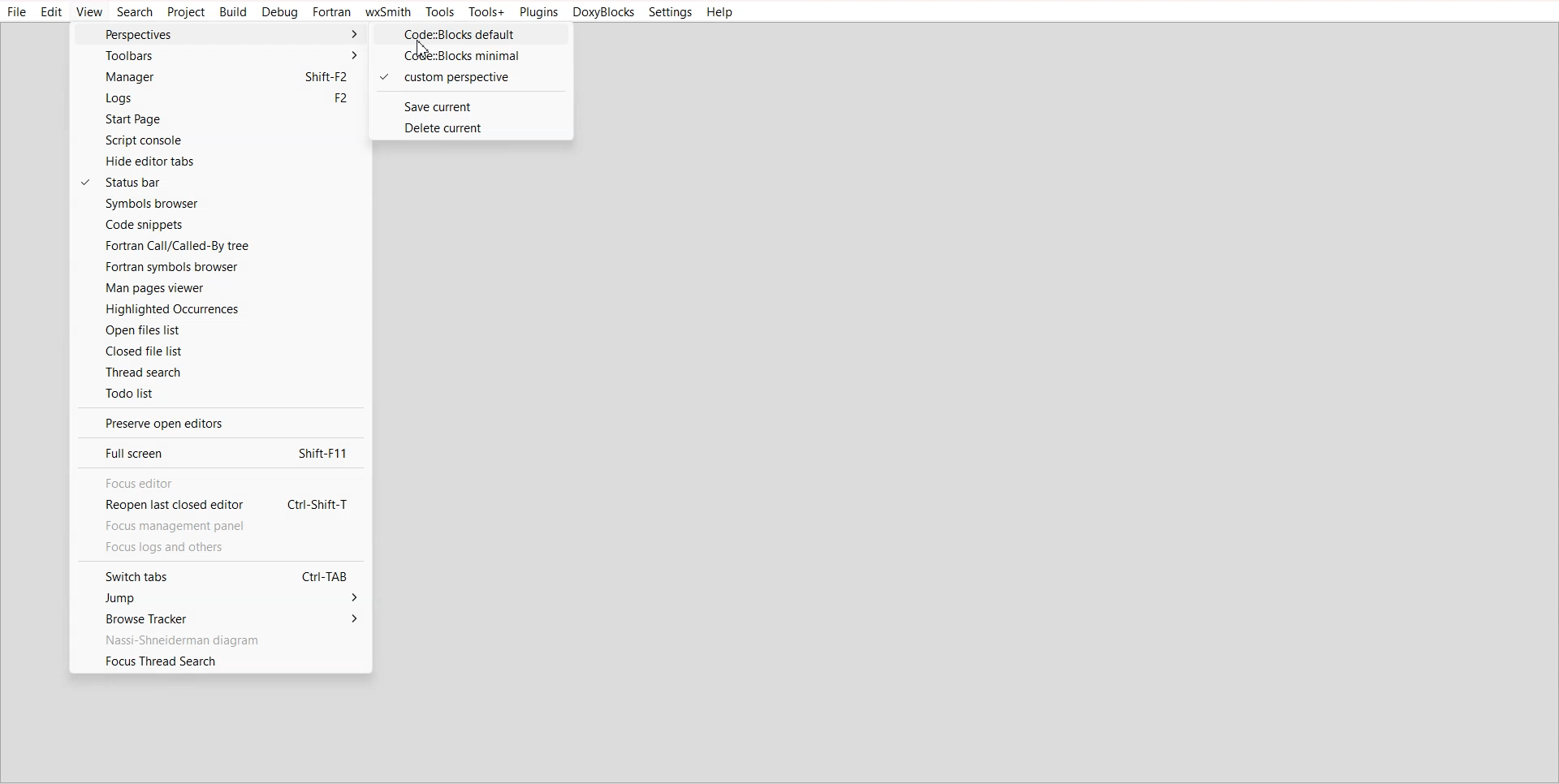  What do you see at coordinates (332, 12) in the screenshot?
I see `Fortran` at bounding box center [332, 12].